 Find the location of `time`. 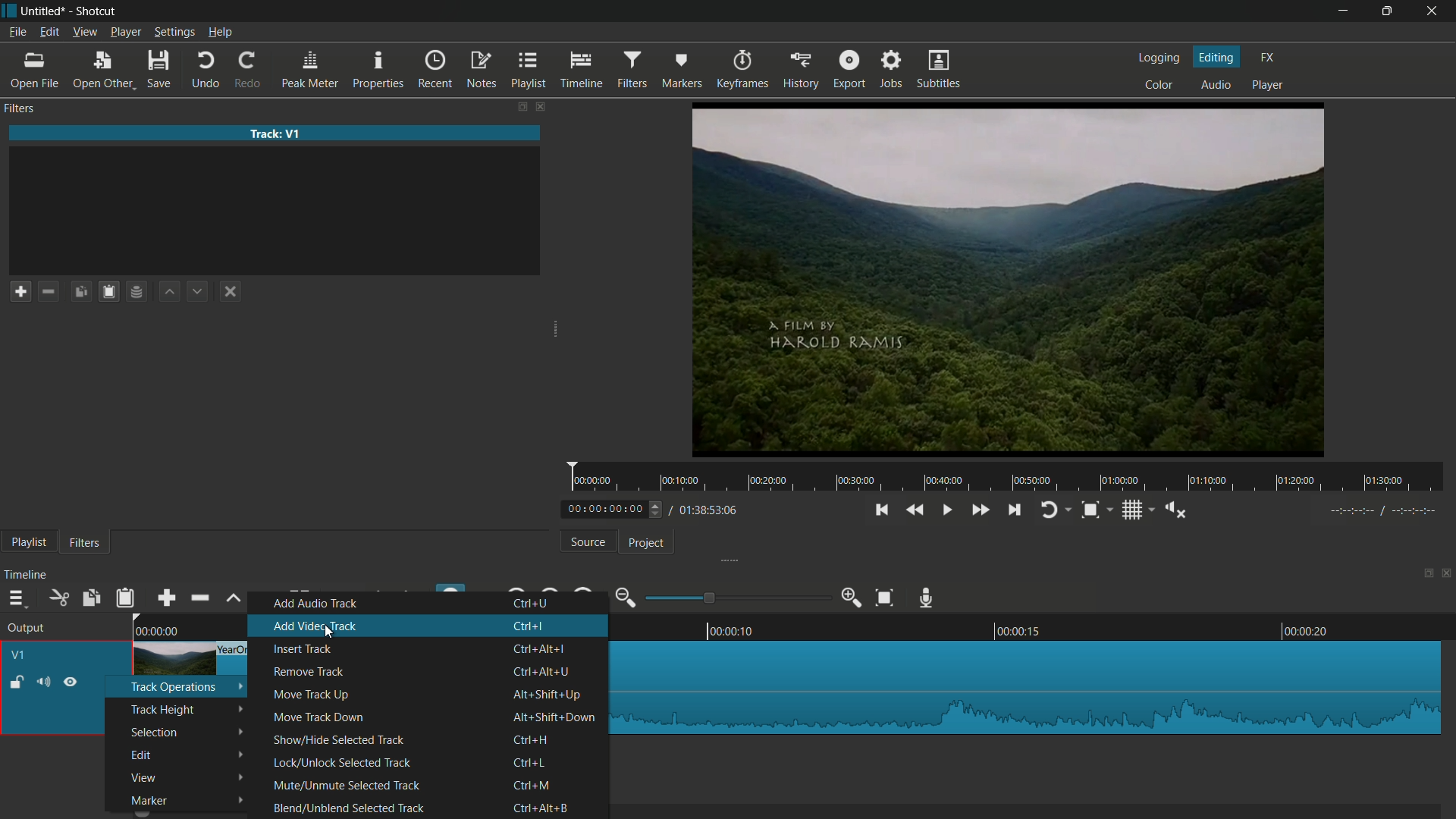

time is located at coordinates (1012, 477).